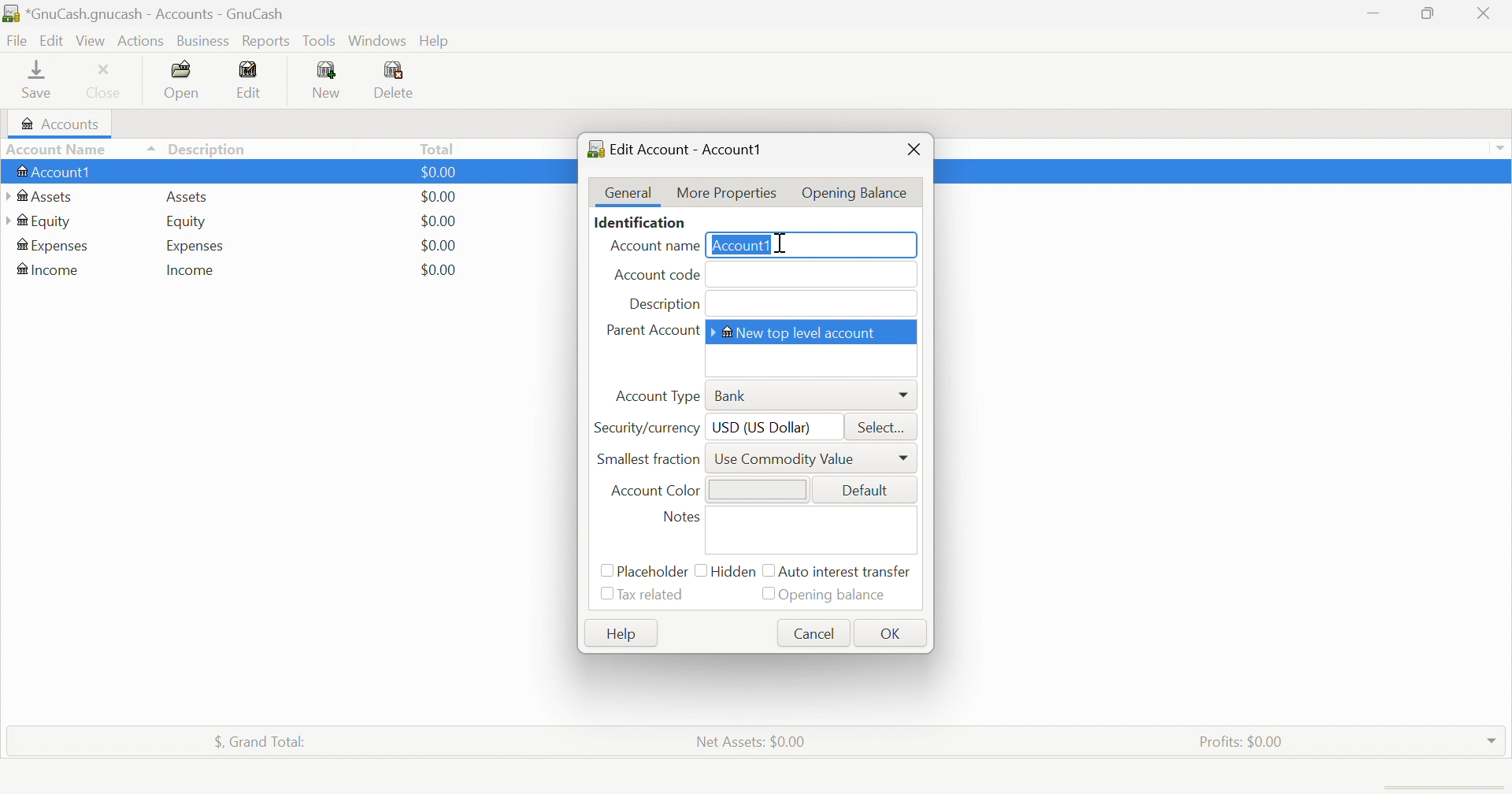  What do you see at coordinates (1429, 13) in the screenshot?
I see `Restore Down` at bounding box center [1429, 13].